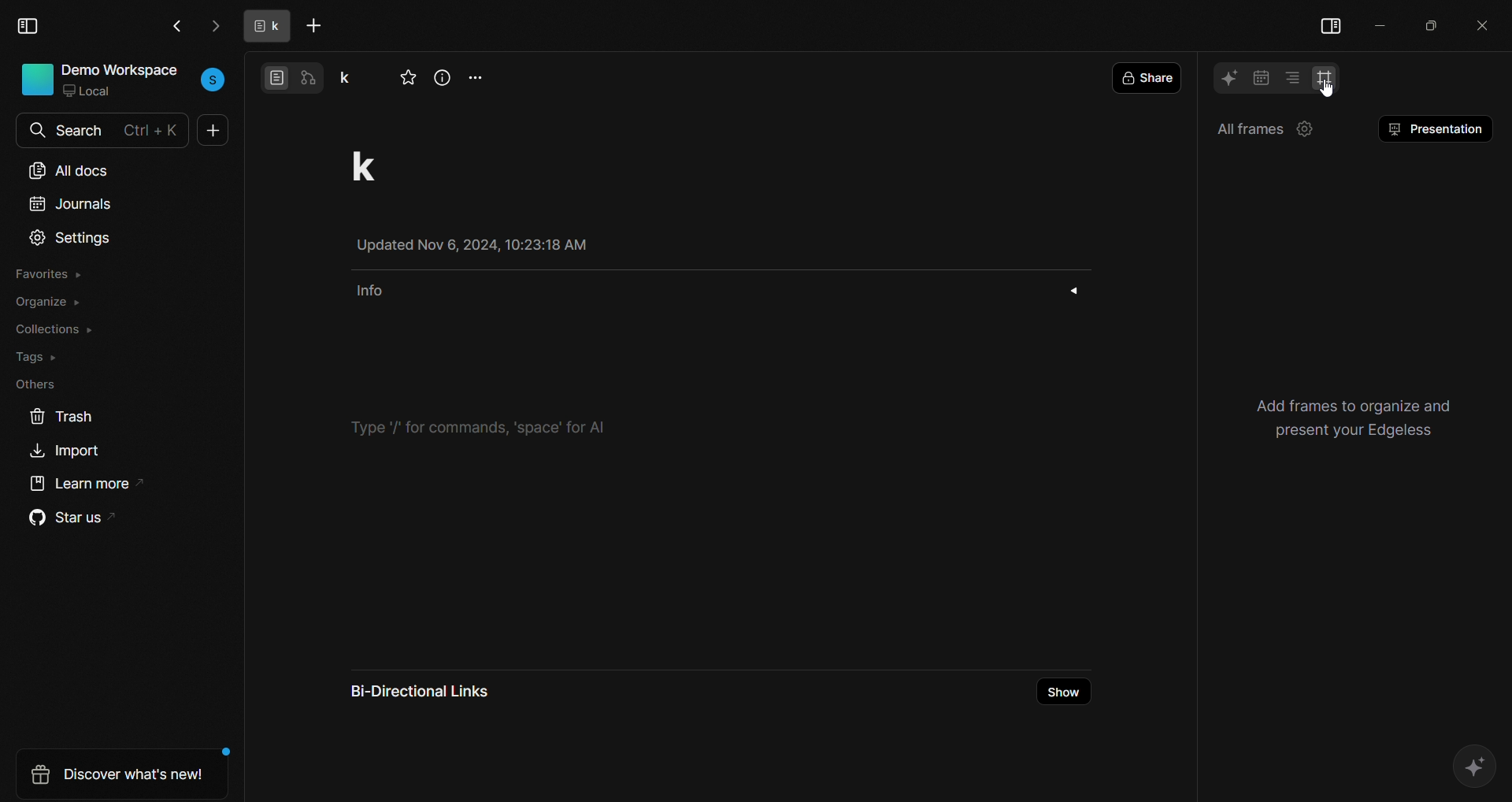 The image size is (1512, 802). What do you see at coordinates (479, 75) in the screenshot?
I see `more` at bounding box center [479, 75].